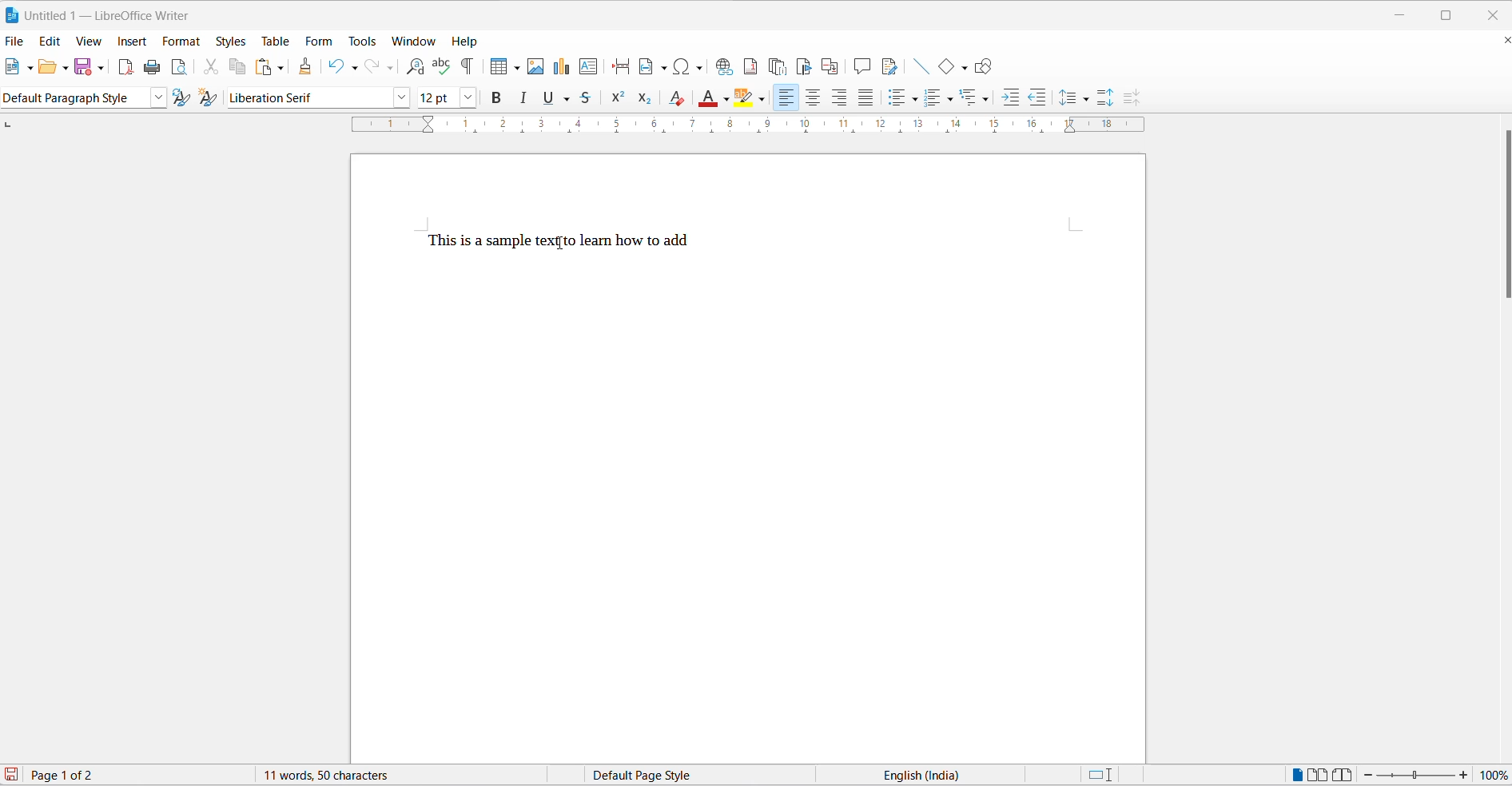  Describe the element at coordinates (788, 97) in the screenshot. I see `text align left` at that location.